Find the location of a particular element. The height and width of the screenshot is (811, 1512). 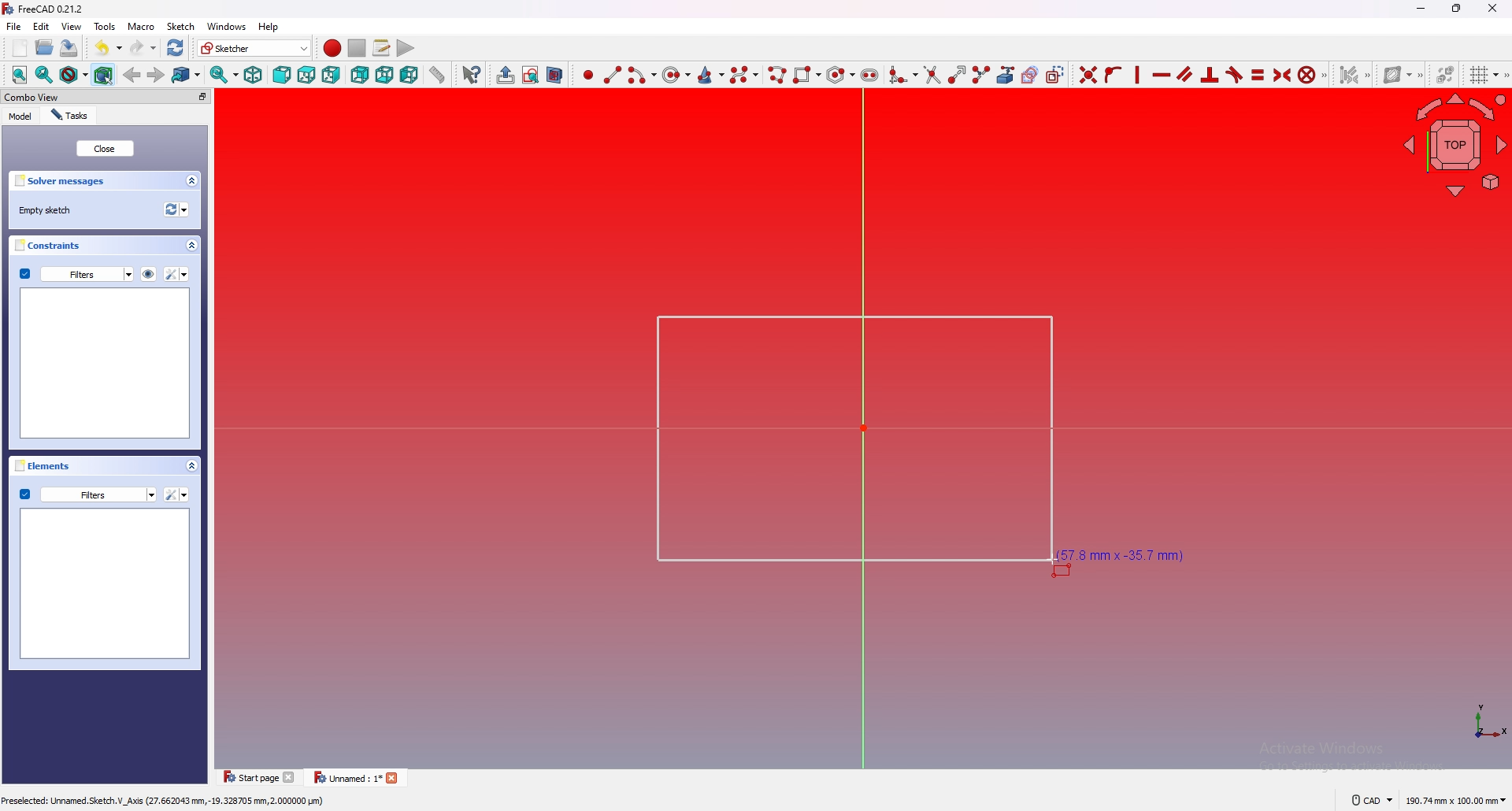

whats this is located at coordinates (474, 74).